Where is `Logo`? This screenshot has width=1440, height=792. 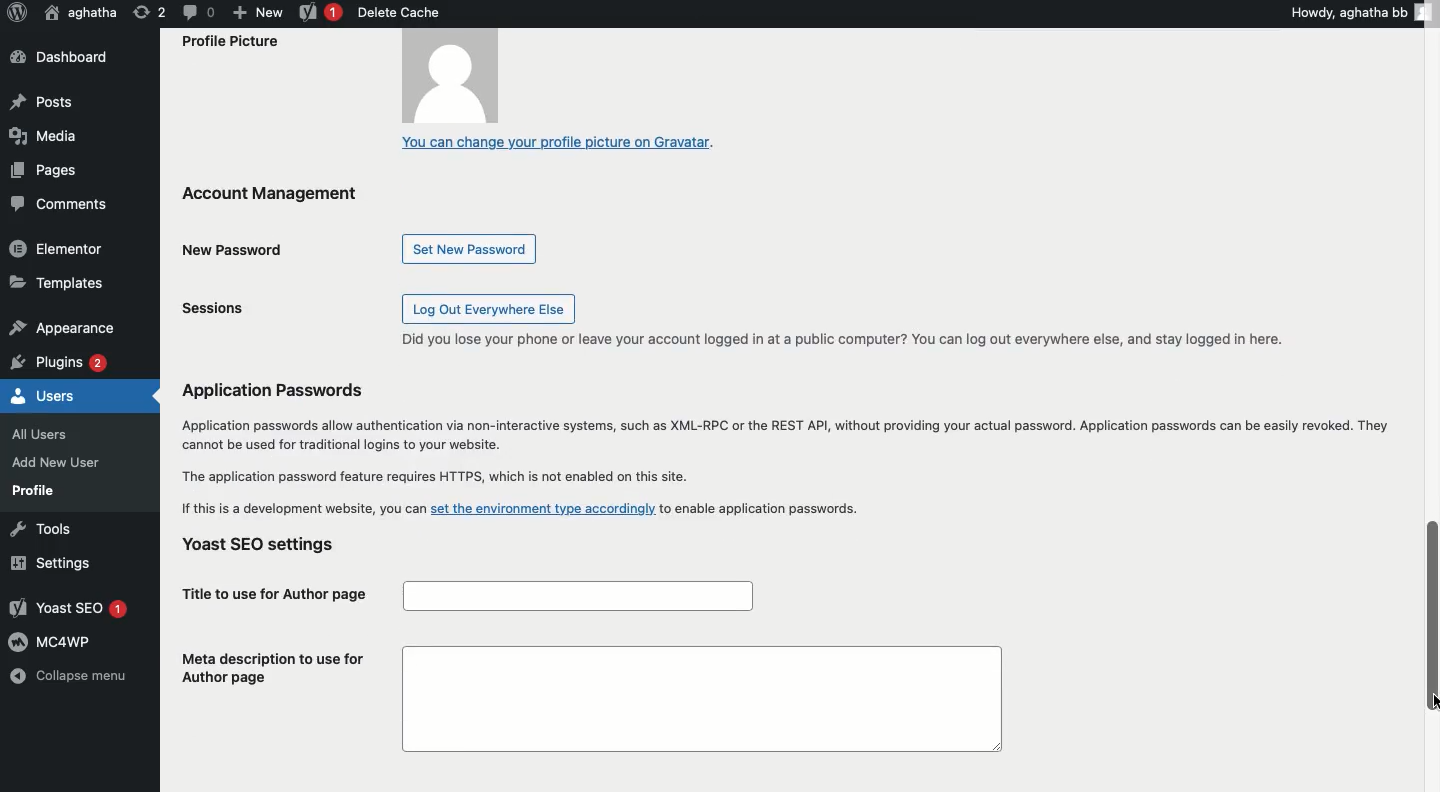 Logo is located at coordinates (16, 13).